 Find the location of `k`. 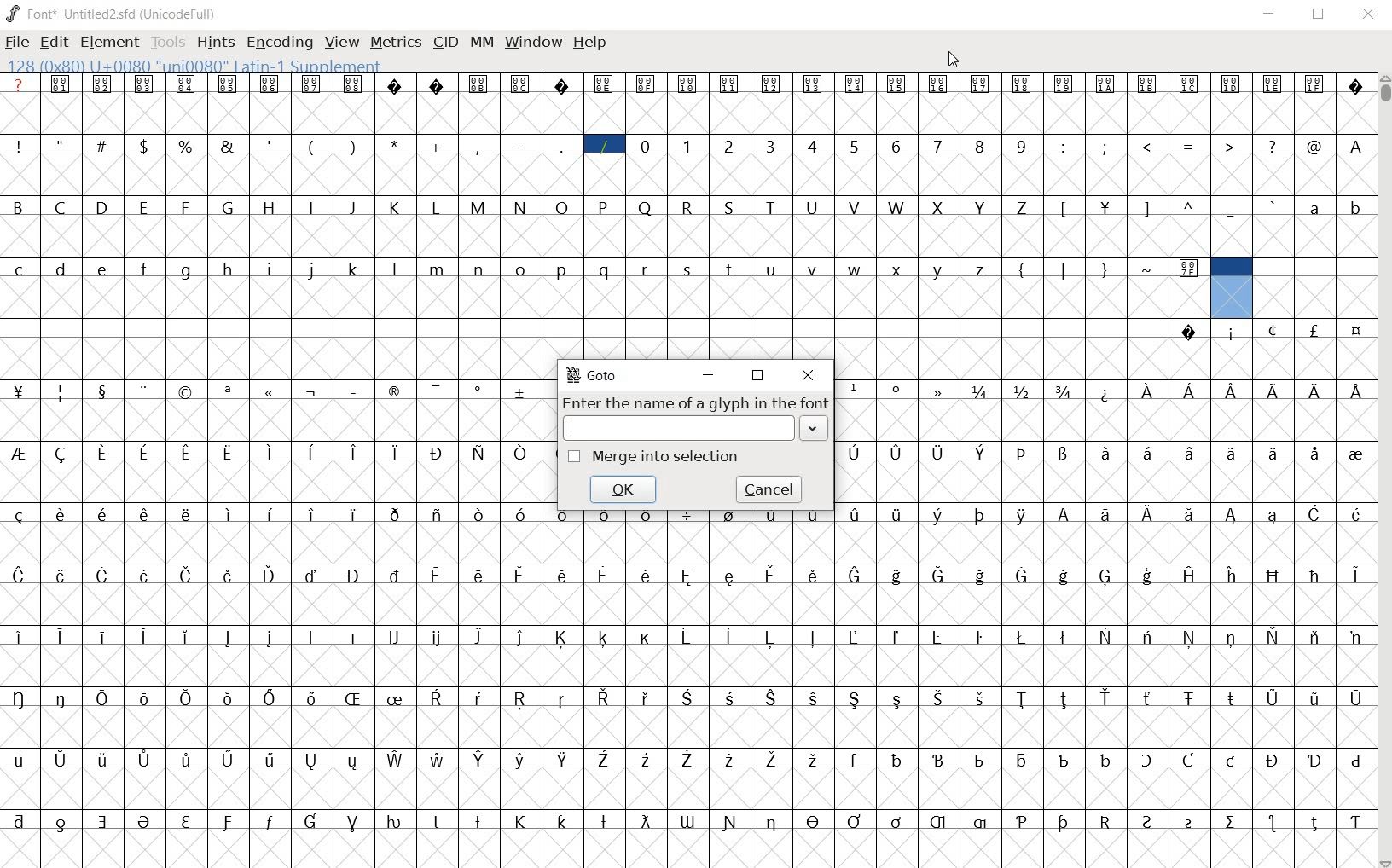

k is located at coordinates (355, 268).